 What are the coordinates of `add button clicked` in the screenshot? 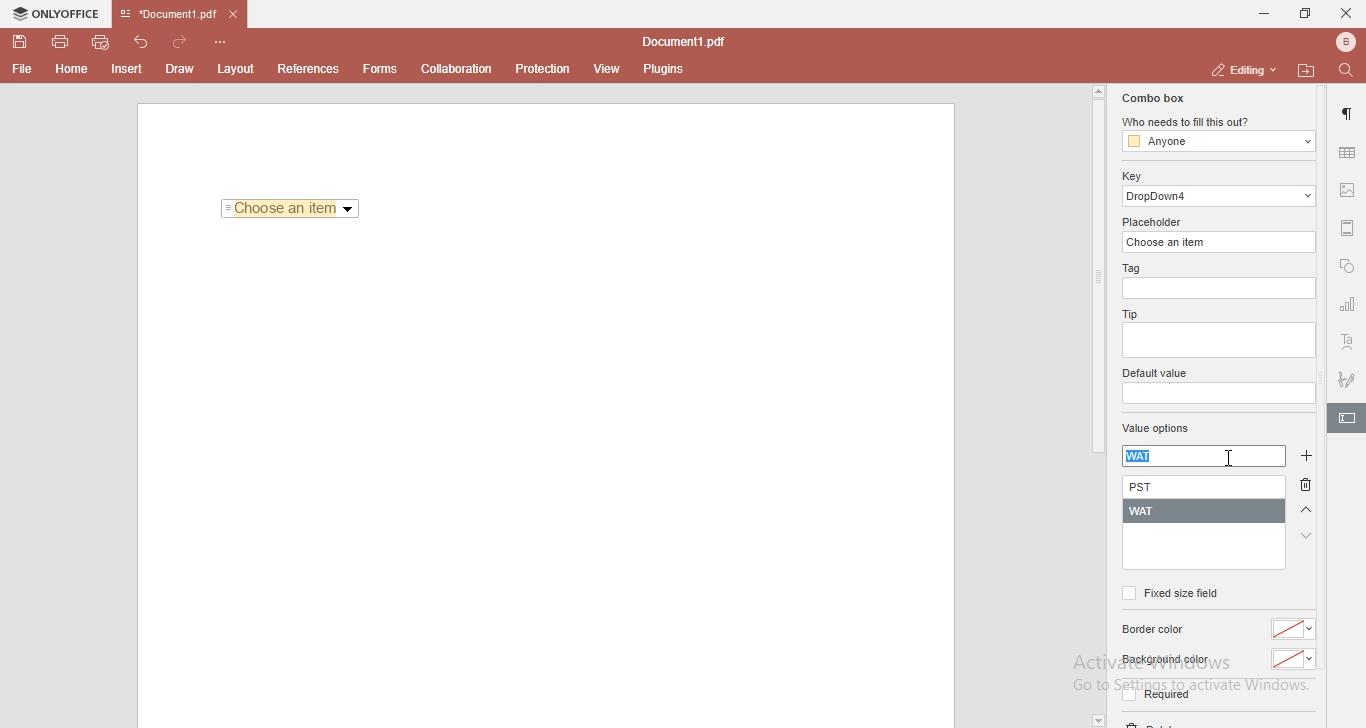 It's located at (1304, 457).